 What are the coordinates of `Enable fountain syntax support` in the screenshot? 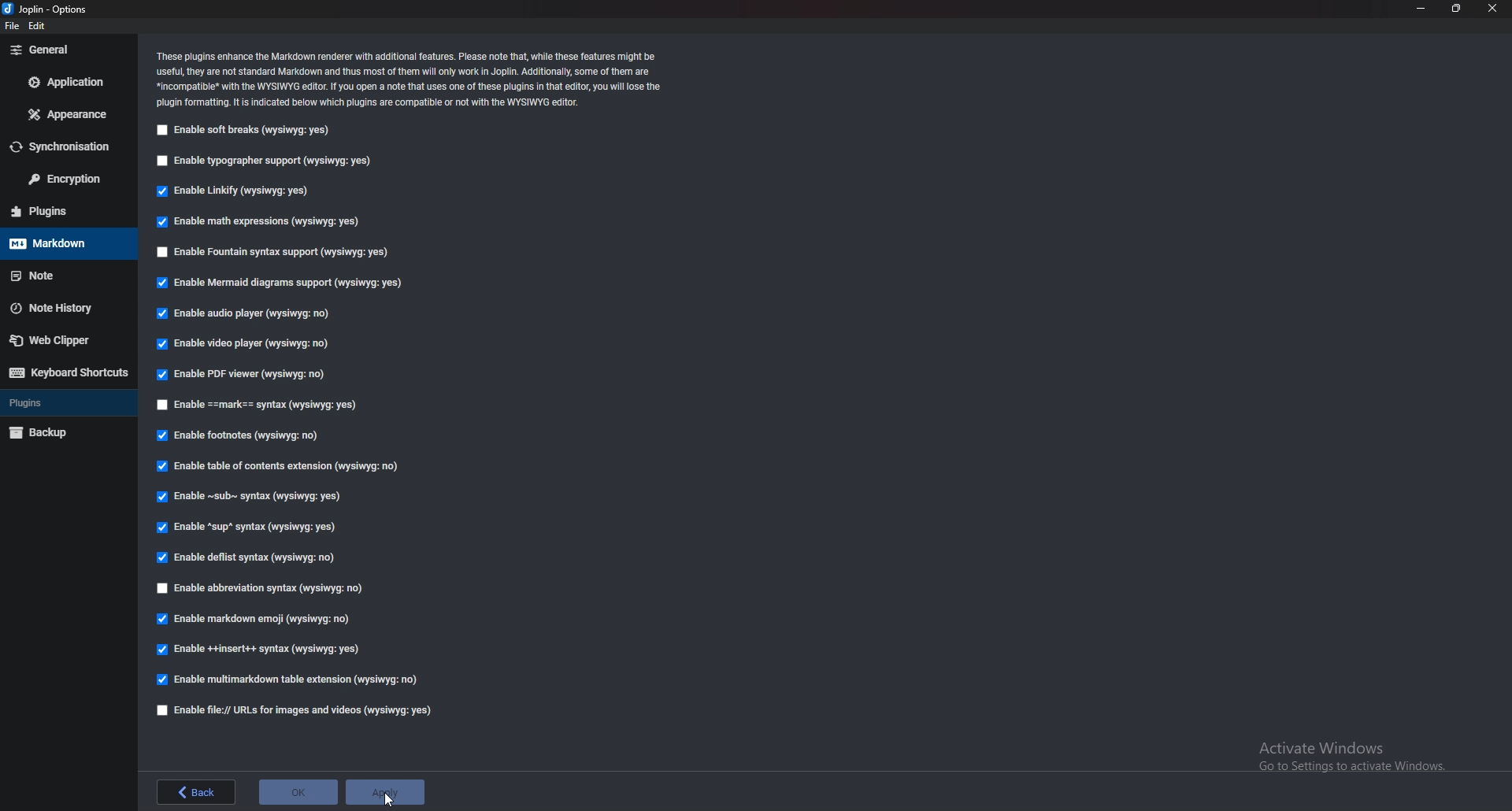 It's located at (287, 253).